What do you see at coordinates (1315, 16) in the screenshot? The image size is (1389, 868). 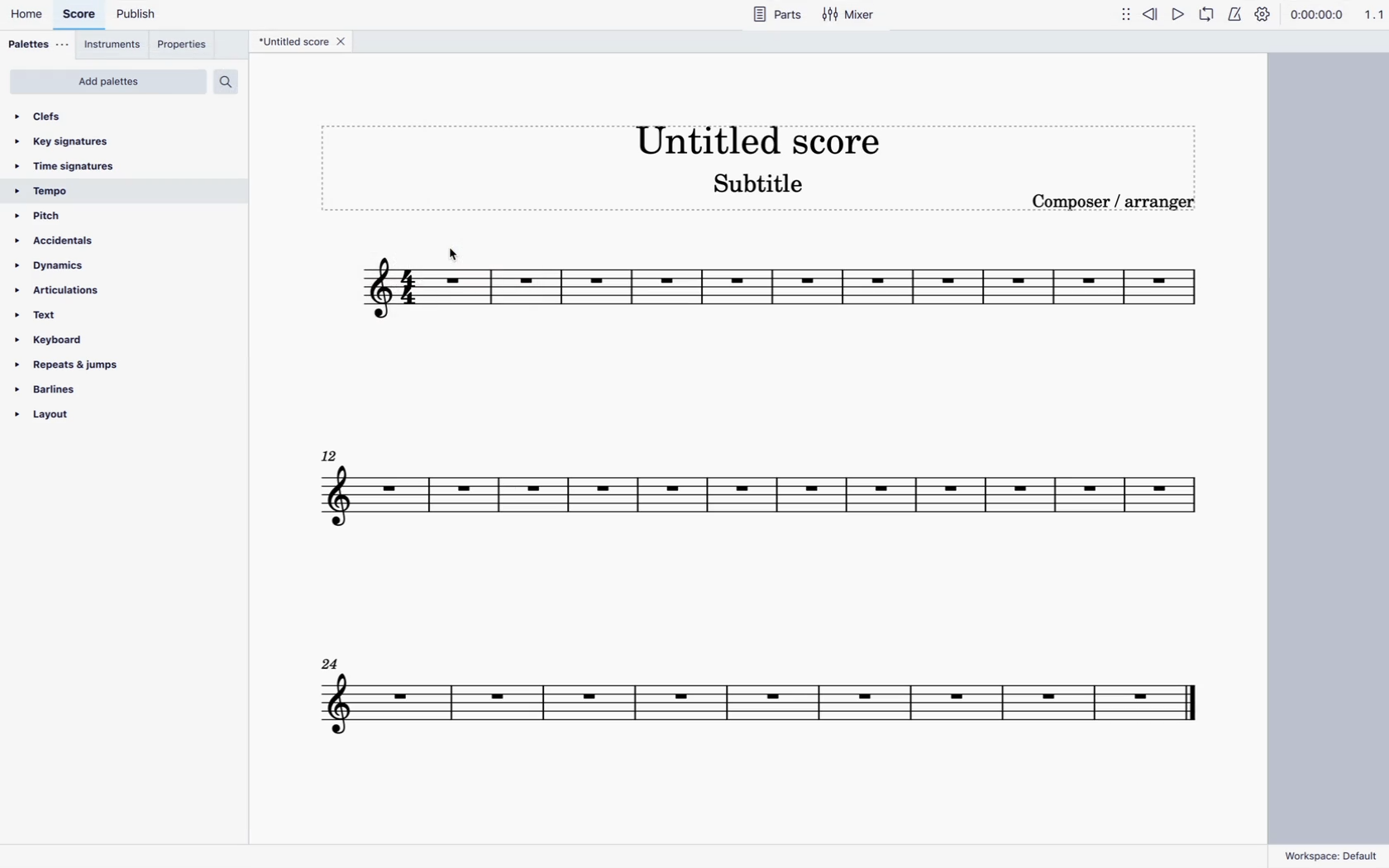 I see `time frame` at bounding box center [1315, 16].